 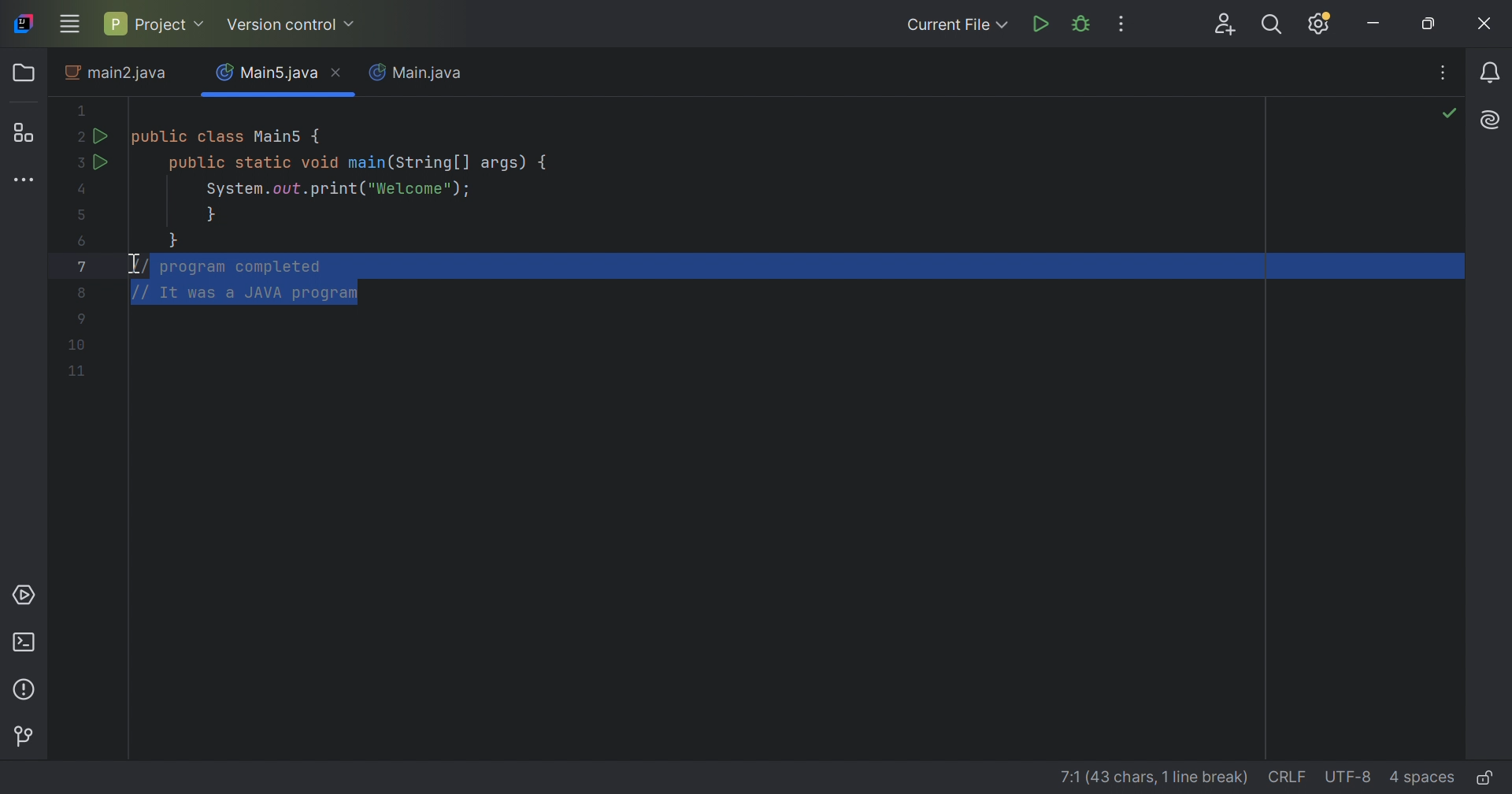 I want to click on This java code defines a main class with a main method. IT prints "Welcome" to the console., so click(x=312, y=173).